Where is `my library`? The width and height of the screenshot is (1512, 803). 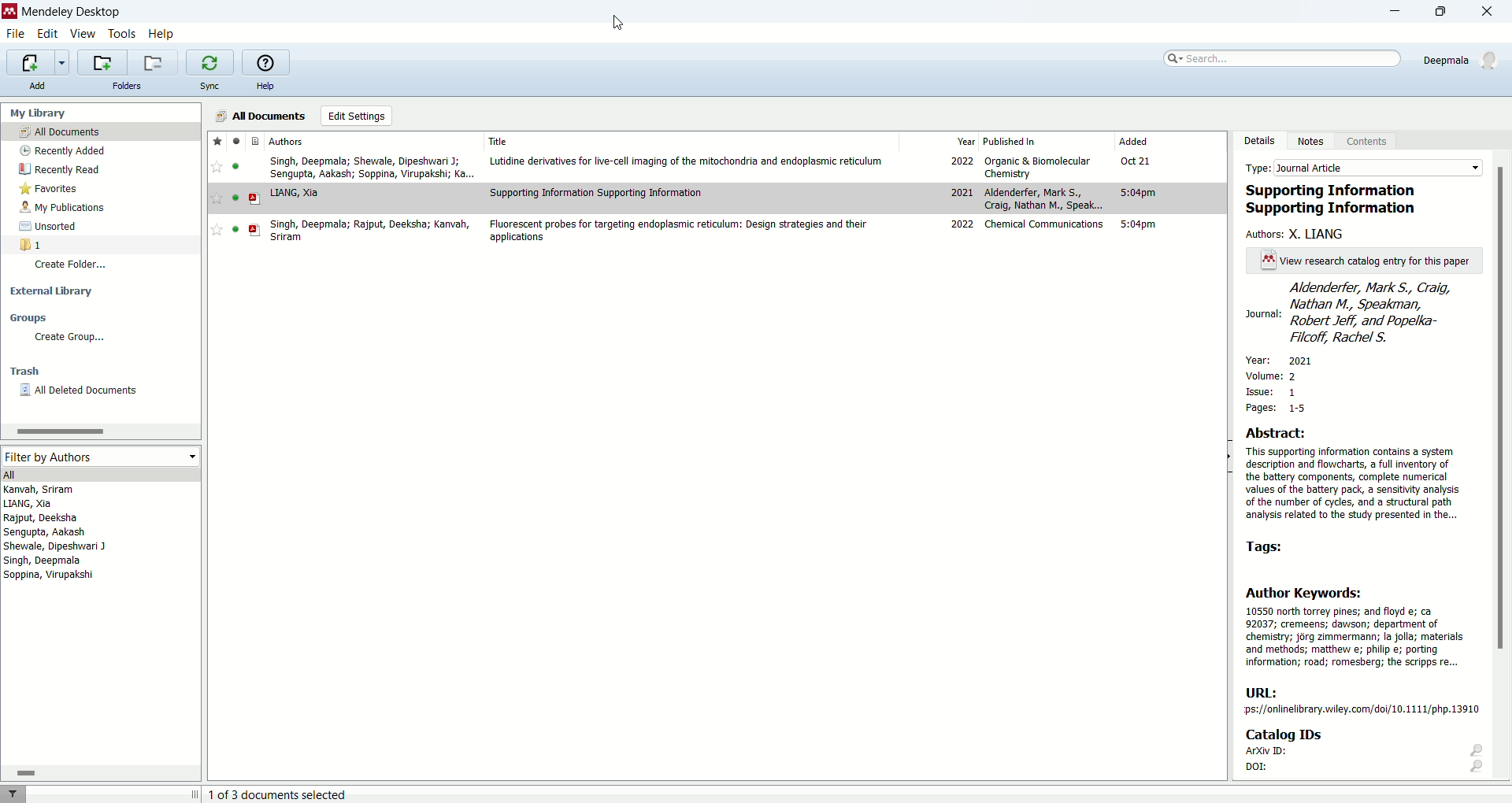
my library is located at coordinates (39, 113).